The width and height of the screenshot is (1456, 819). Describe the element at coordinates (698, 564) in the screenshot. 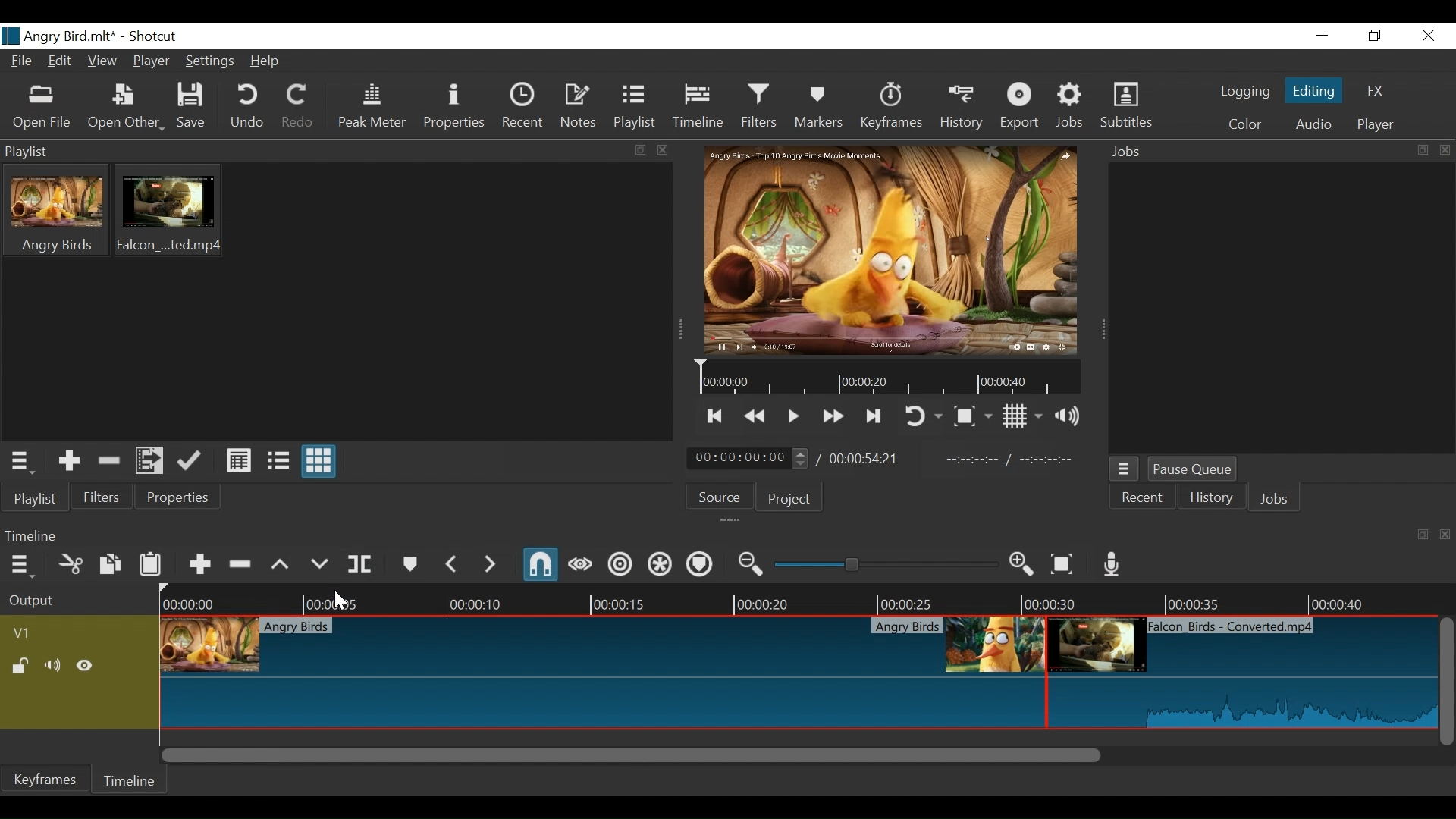

I see `Ripple markers` at that location.